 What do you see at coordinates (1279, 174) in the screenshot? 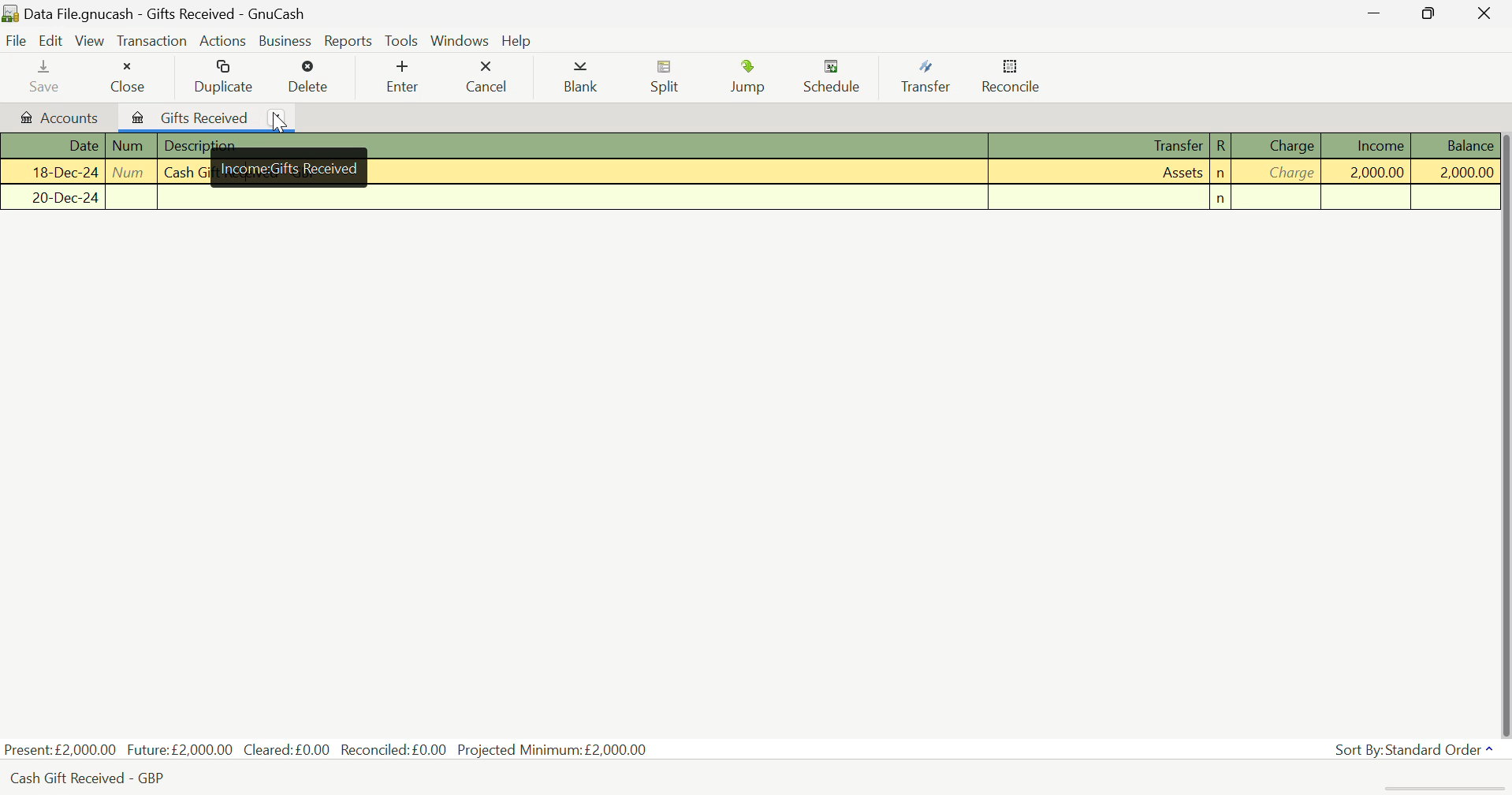
I see `Charge` at bounding box center [1279, 174].